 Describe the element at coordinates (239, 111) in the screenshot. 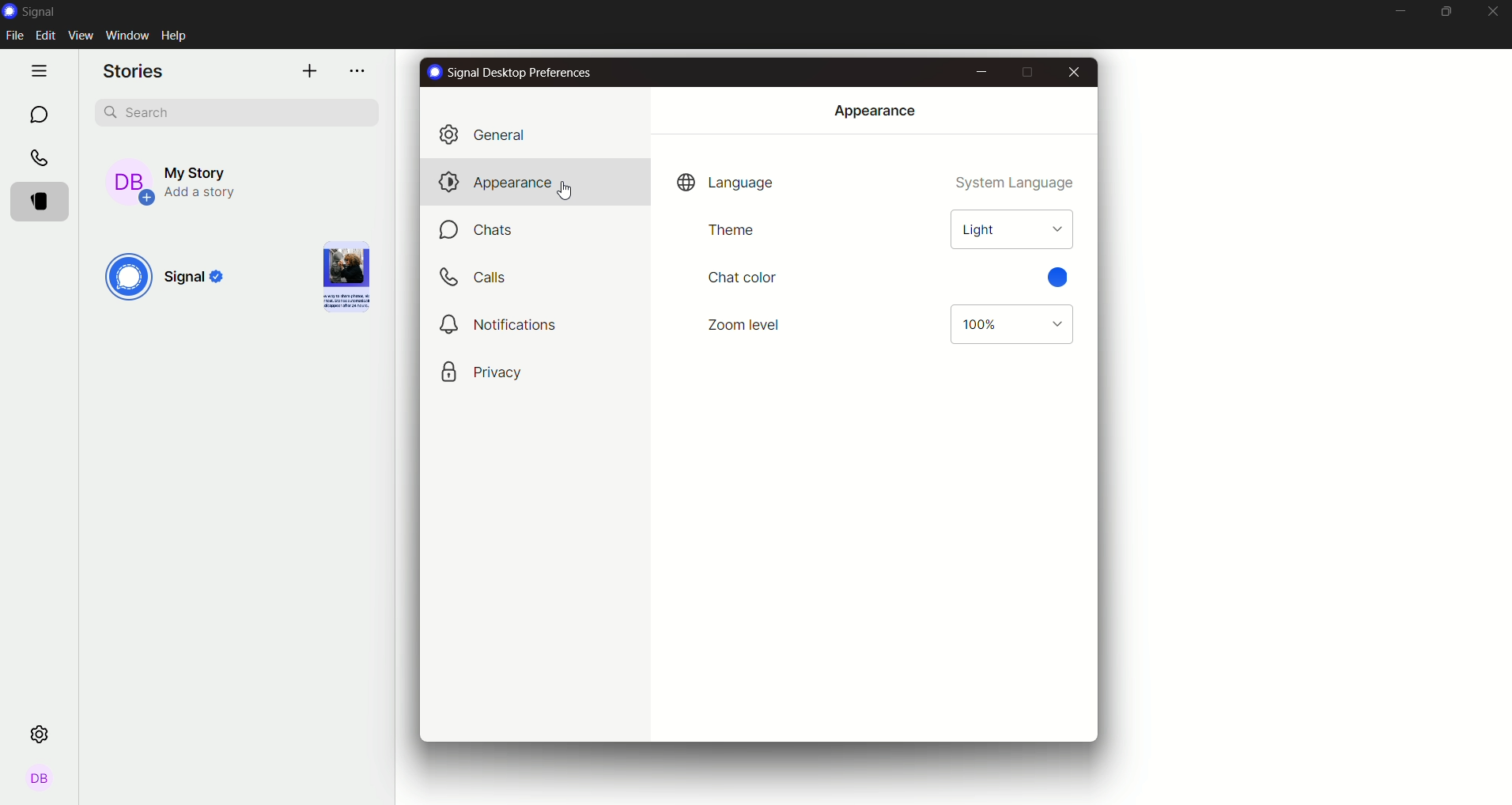

I see `search bar` at that location.